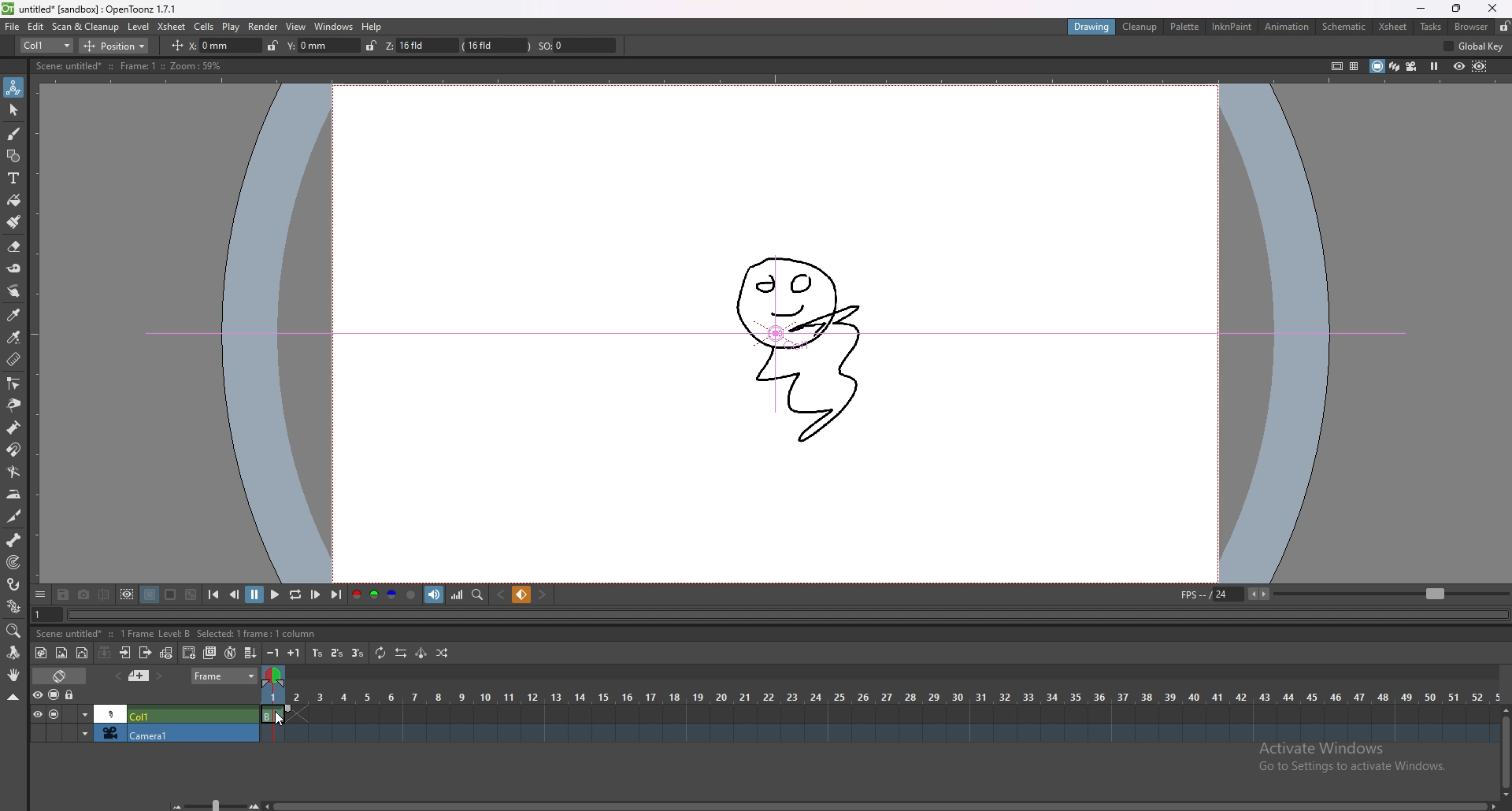  Describe the element at coordinates (65, 594) in the screenshot. I see `save` at that location.